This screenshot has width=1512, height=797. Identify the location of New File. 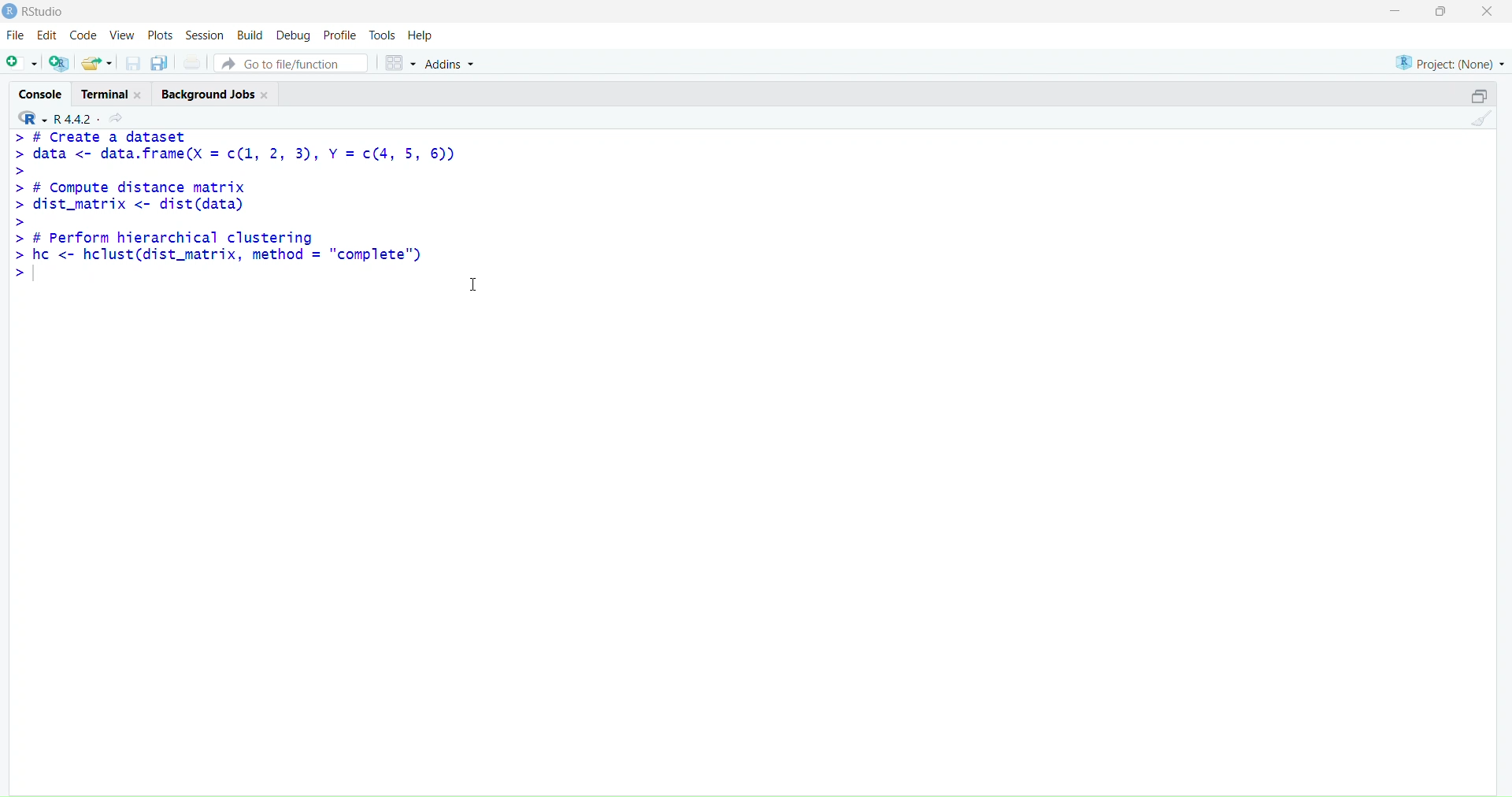
(21, 61).